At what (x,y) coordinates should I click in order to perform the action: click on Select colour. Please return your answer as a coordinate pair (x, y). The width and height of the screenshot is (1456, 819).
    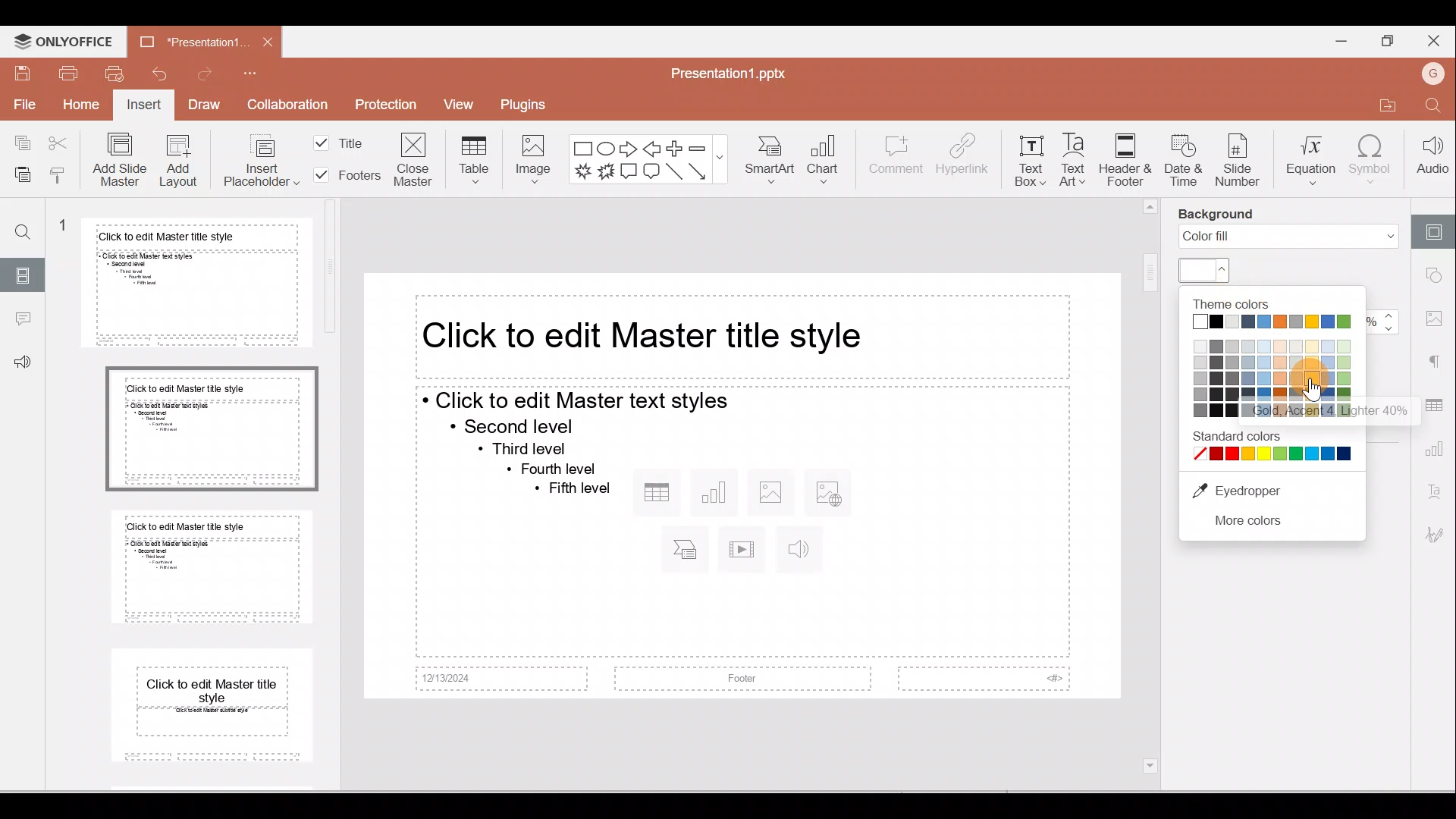
    Looking at the image, I should click on (1205, 270).